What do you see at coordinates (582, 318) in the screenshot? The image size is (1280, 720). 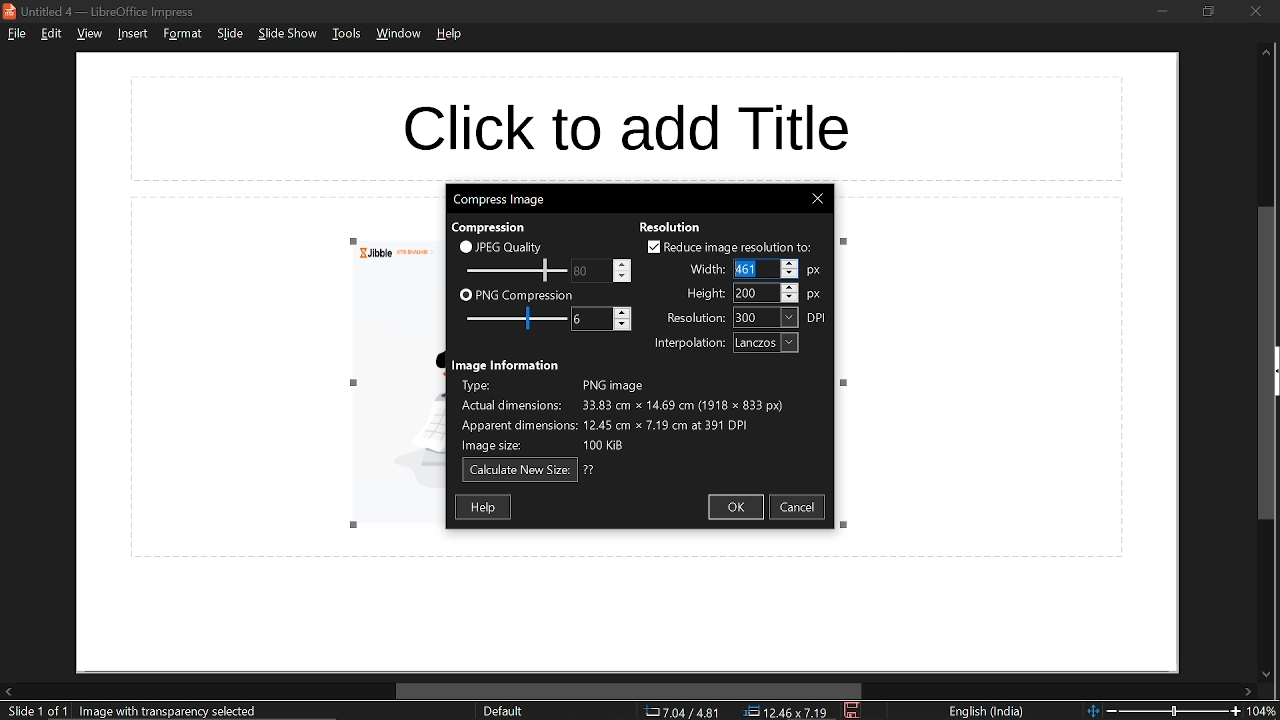 I see `change PNG compression` at bounding box center [582, 318].